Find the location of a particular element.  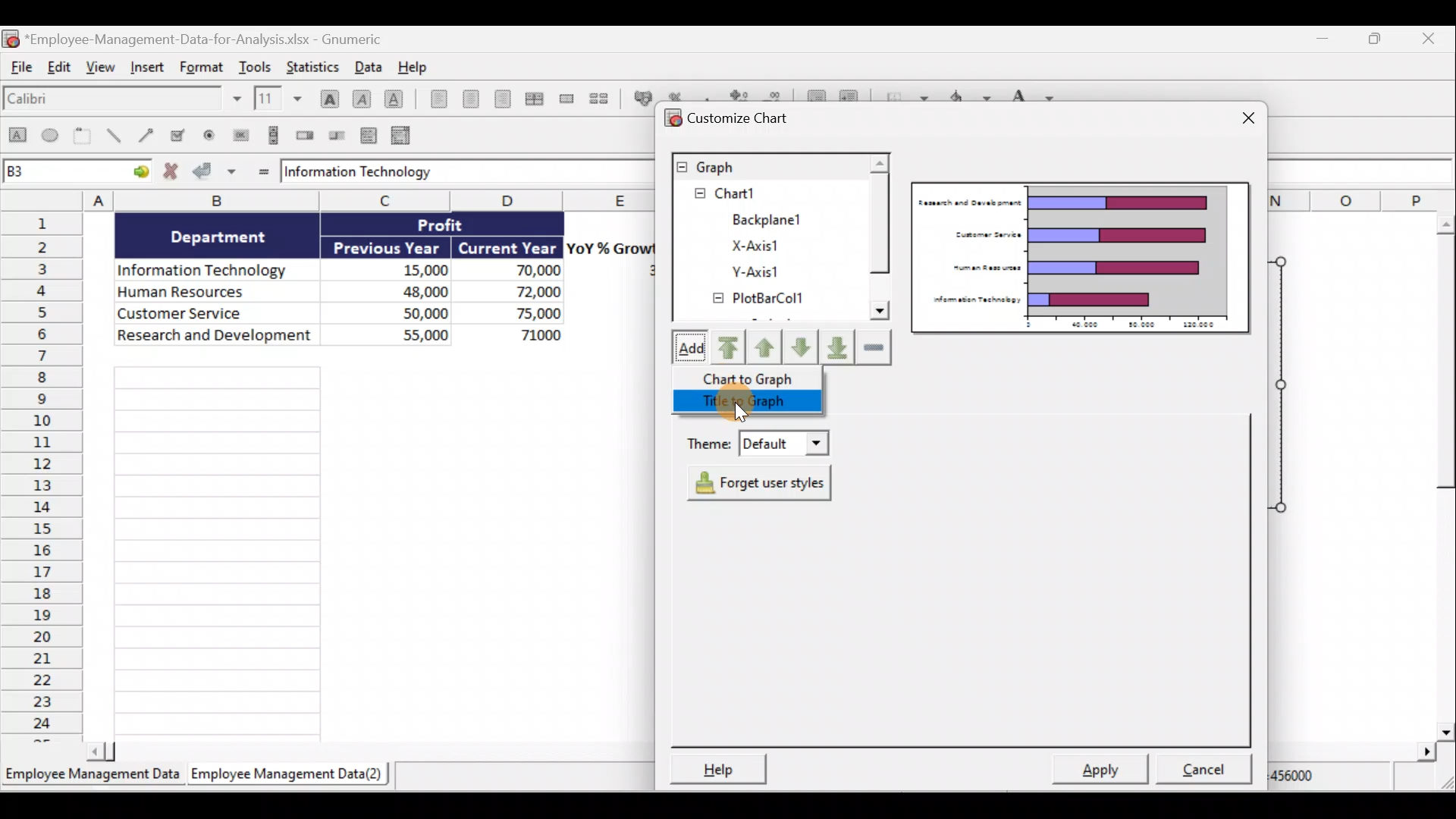

View is located at coordinates (101, 67).